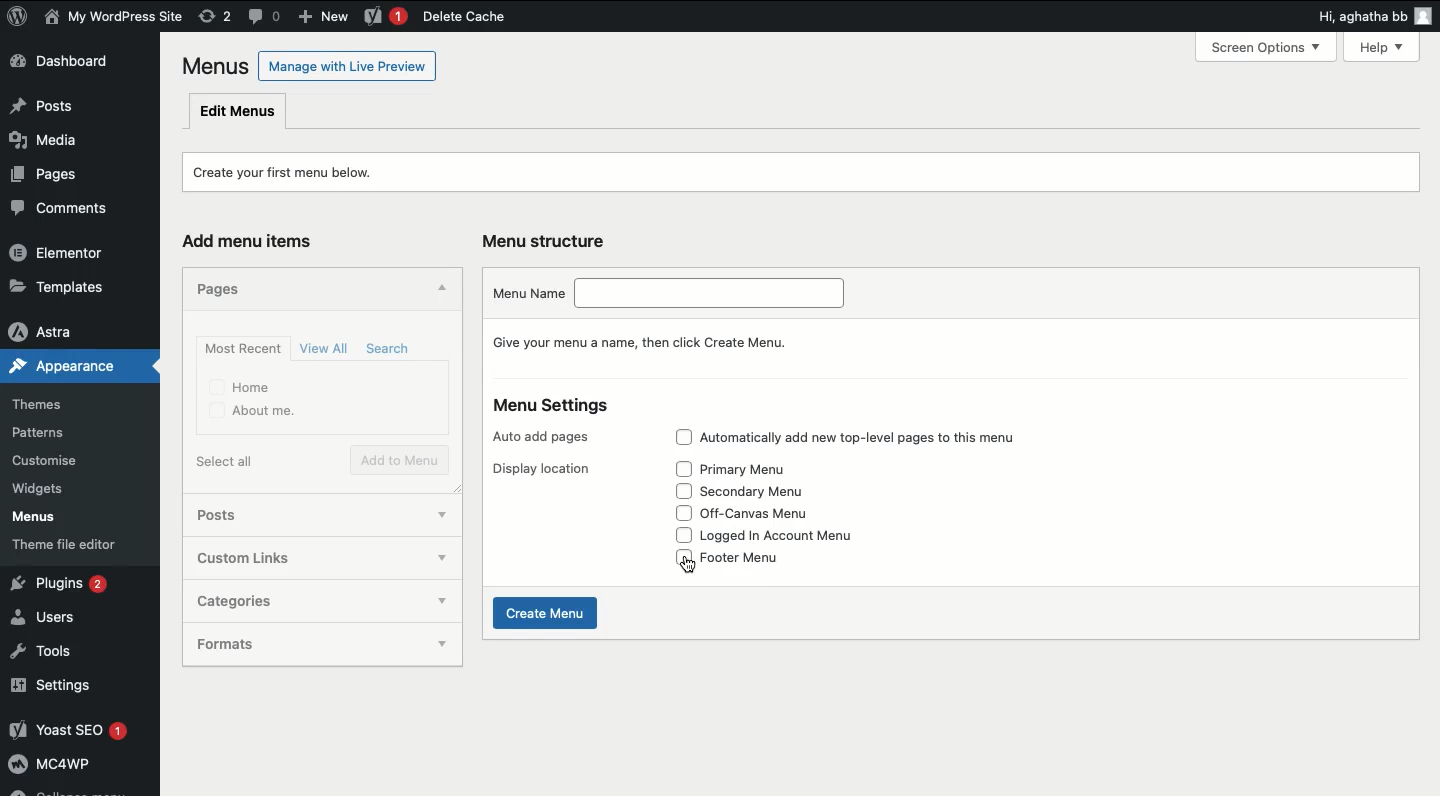 The image size is (1440, 796). I want to click on Menu name, so click(666, 292).